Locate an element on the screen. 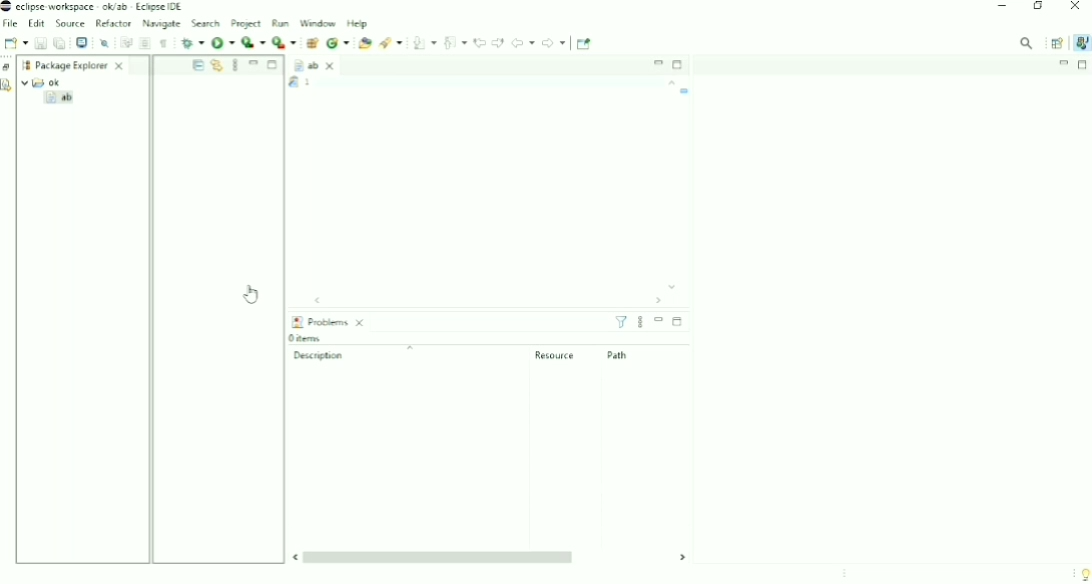 Image resolution: width=1092 pixels, height=584 pixels. Open a Terminal is located at coordinates (82, 42).